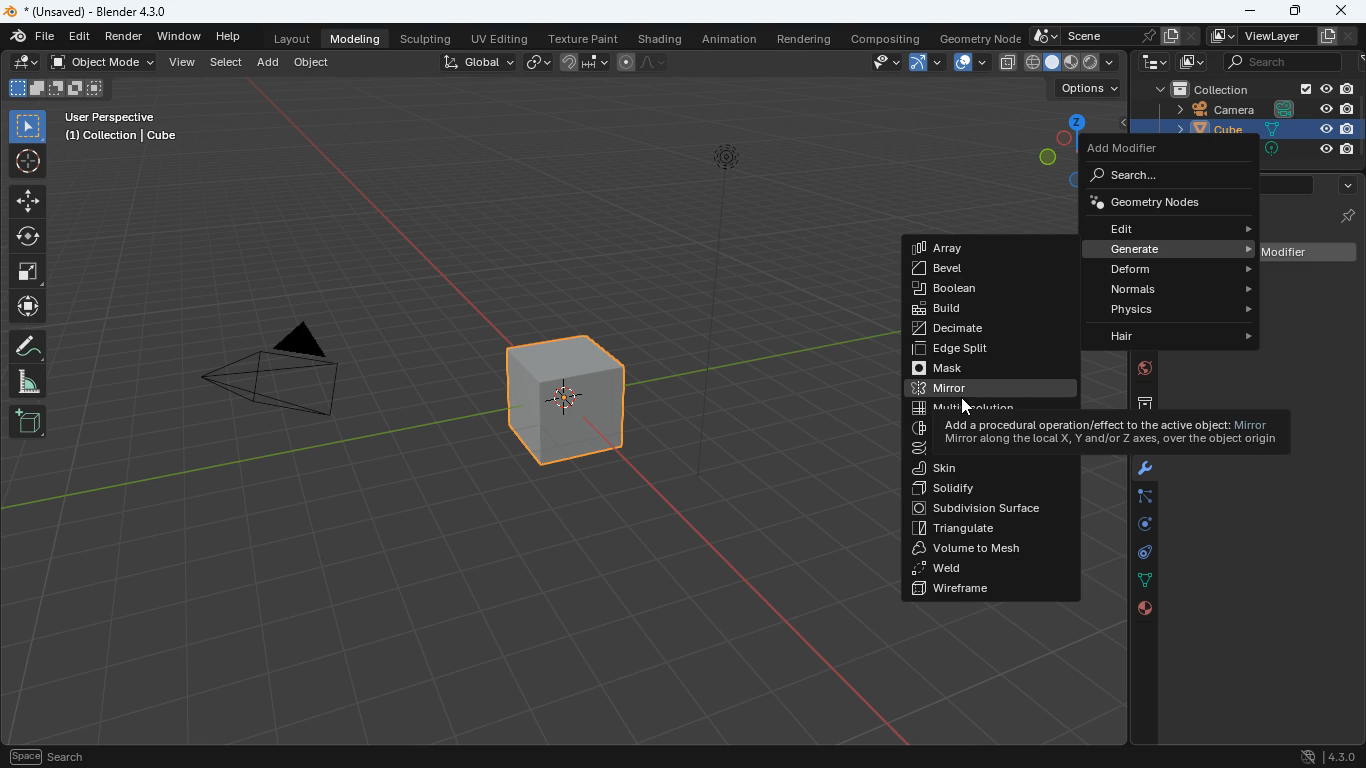 This screenshot has width=1366, height=768. I want to click on triangulate, so click(987, 527).